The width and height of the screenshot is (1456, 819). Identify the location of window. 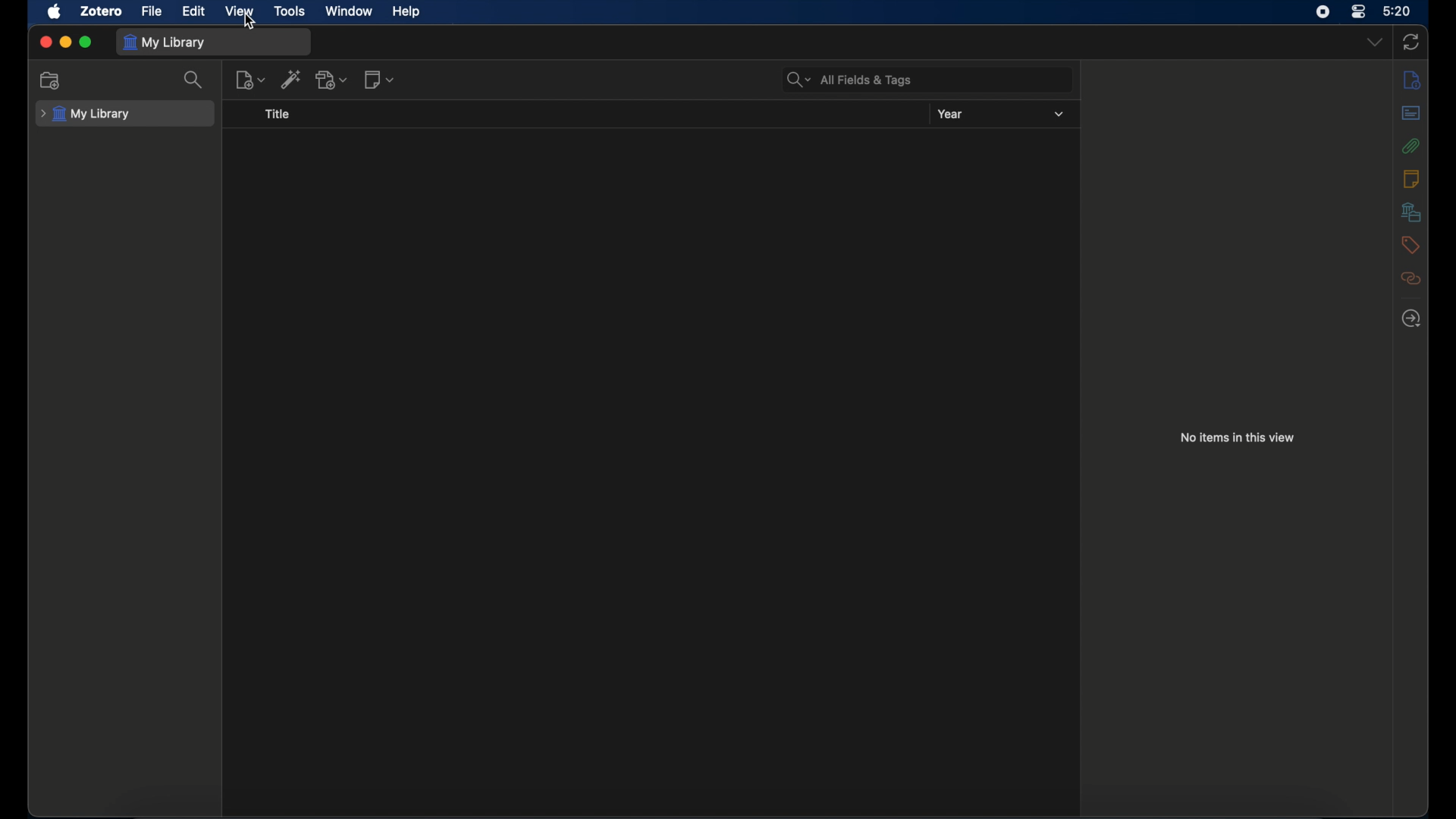
(349, 11).